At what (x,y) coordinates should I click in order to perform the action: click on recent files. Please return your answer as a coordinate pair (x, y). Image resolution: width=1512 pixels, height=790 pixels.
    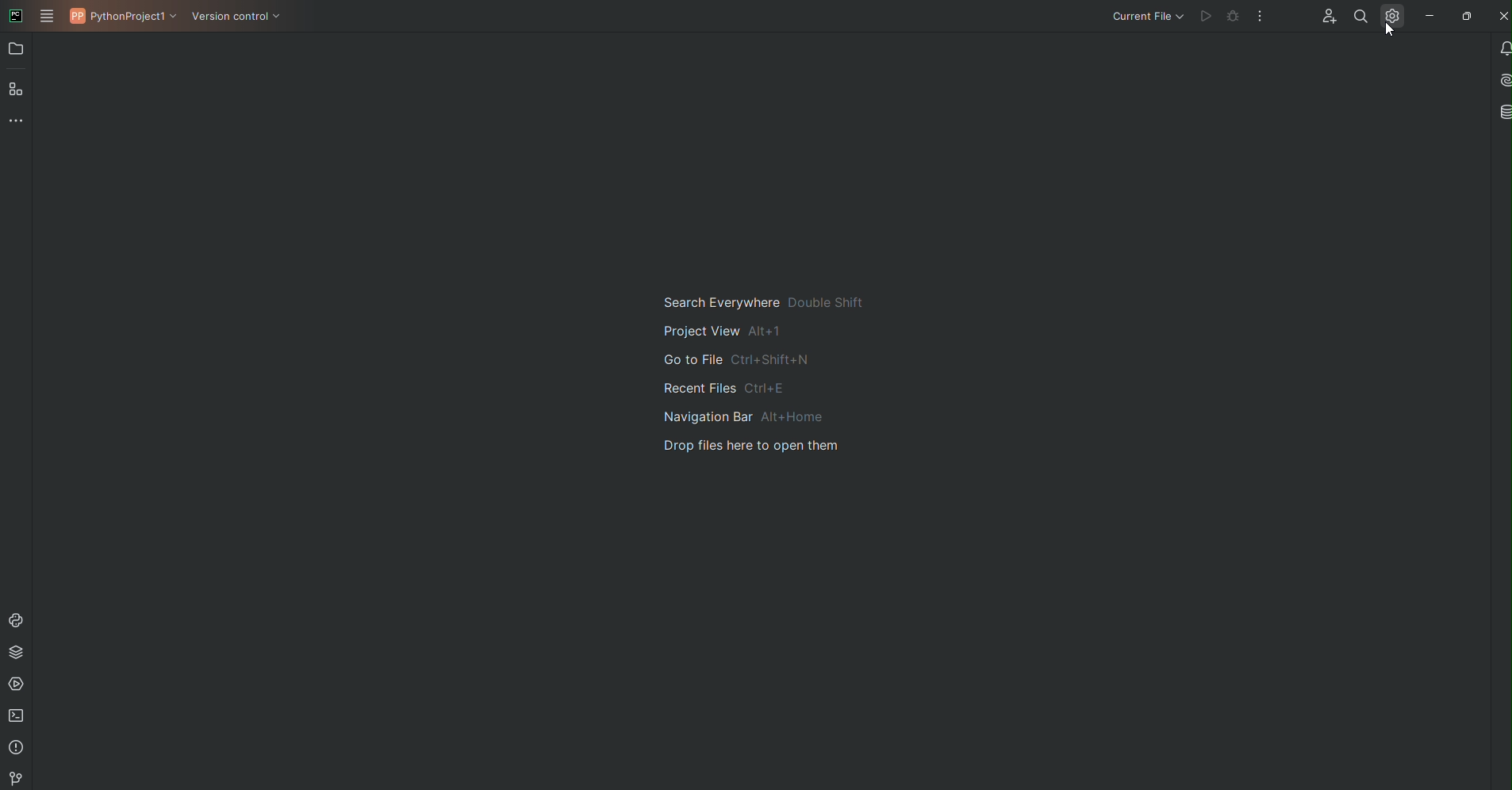
    Looking at the image, I should click on (724, 389).